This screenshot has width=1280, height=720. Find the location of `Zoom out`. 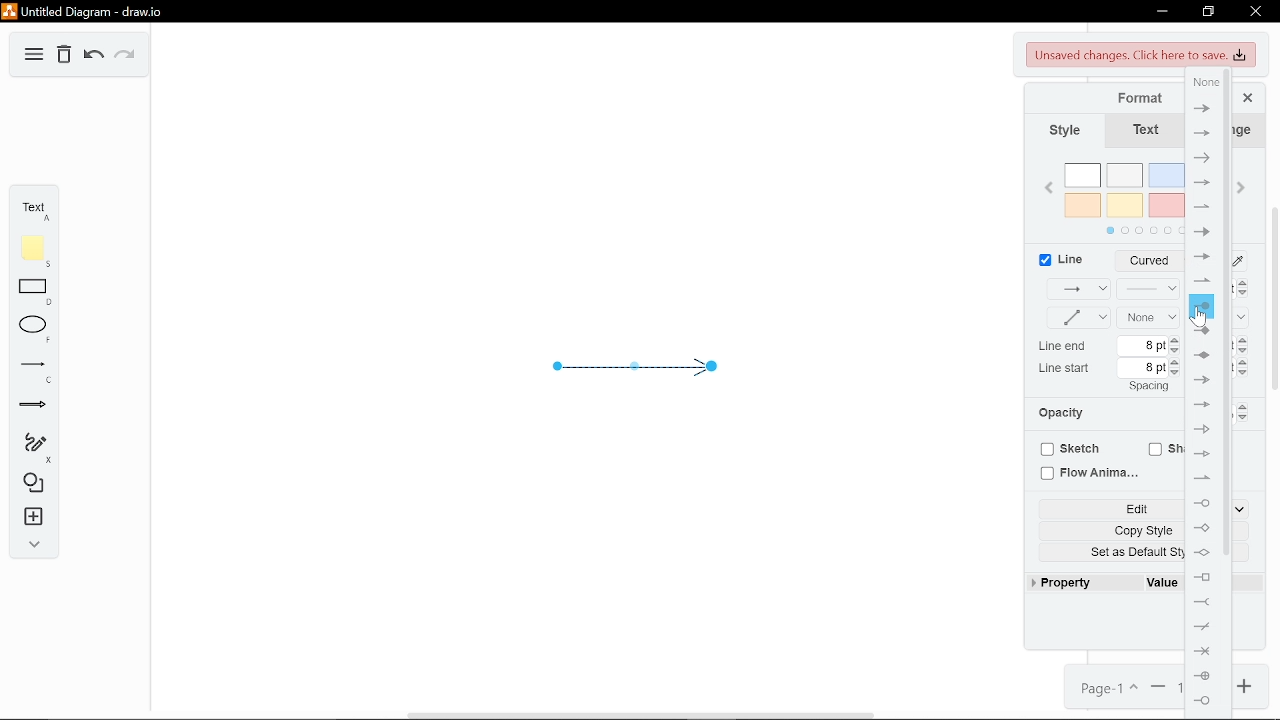

Zoom out is located at coordinates (1161, 688).